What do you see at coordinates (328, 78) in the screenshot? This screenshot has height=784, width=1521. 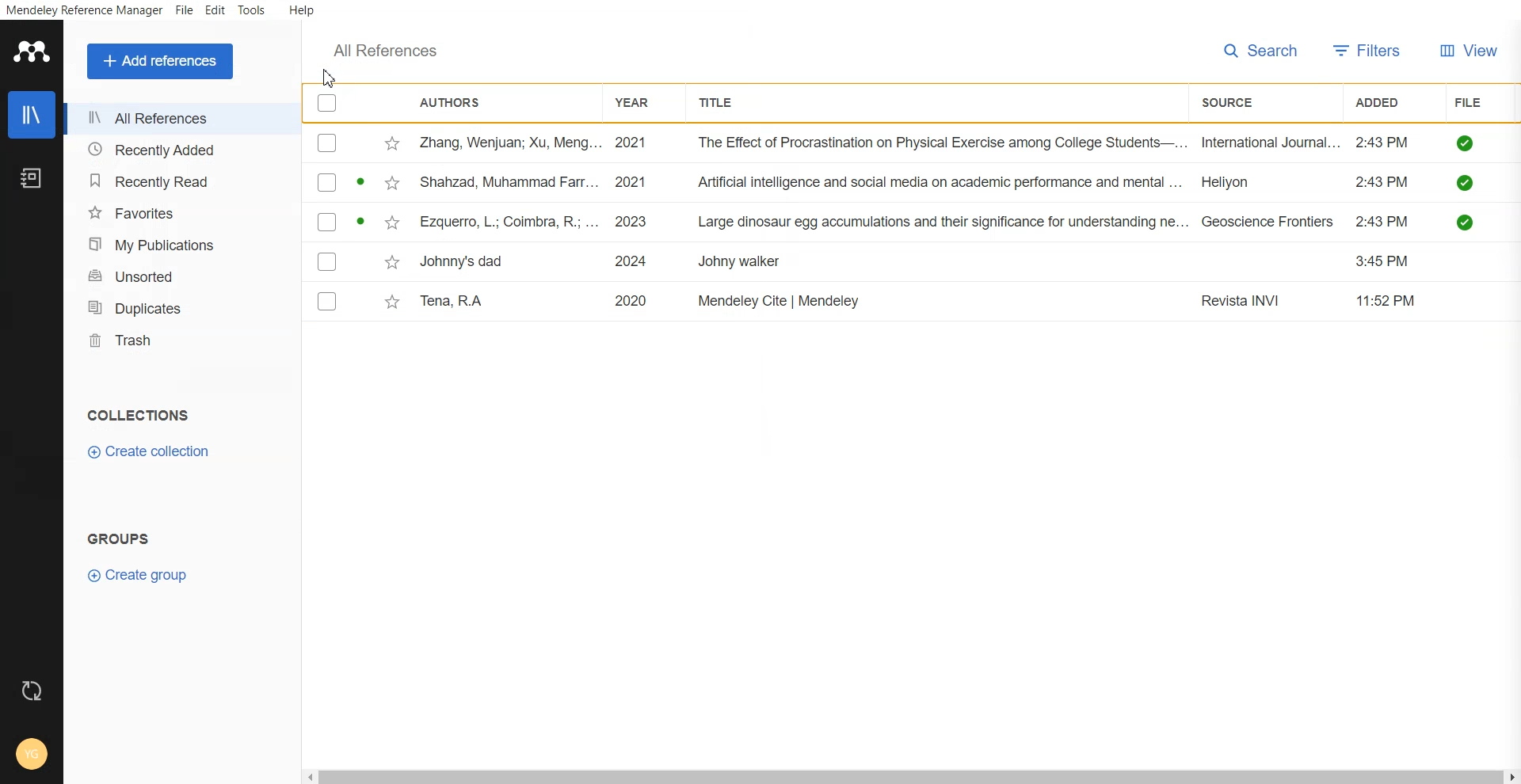 I see `Cursor` at bounding box center [328, 78].